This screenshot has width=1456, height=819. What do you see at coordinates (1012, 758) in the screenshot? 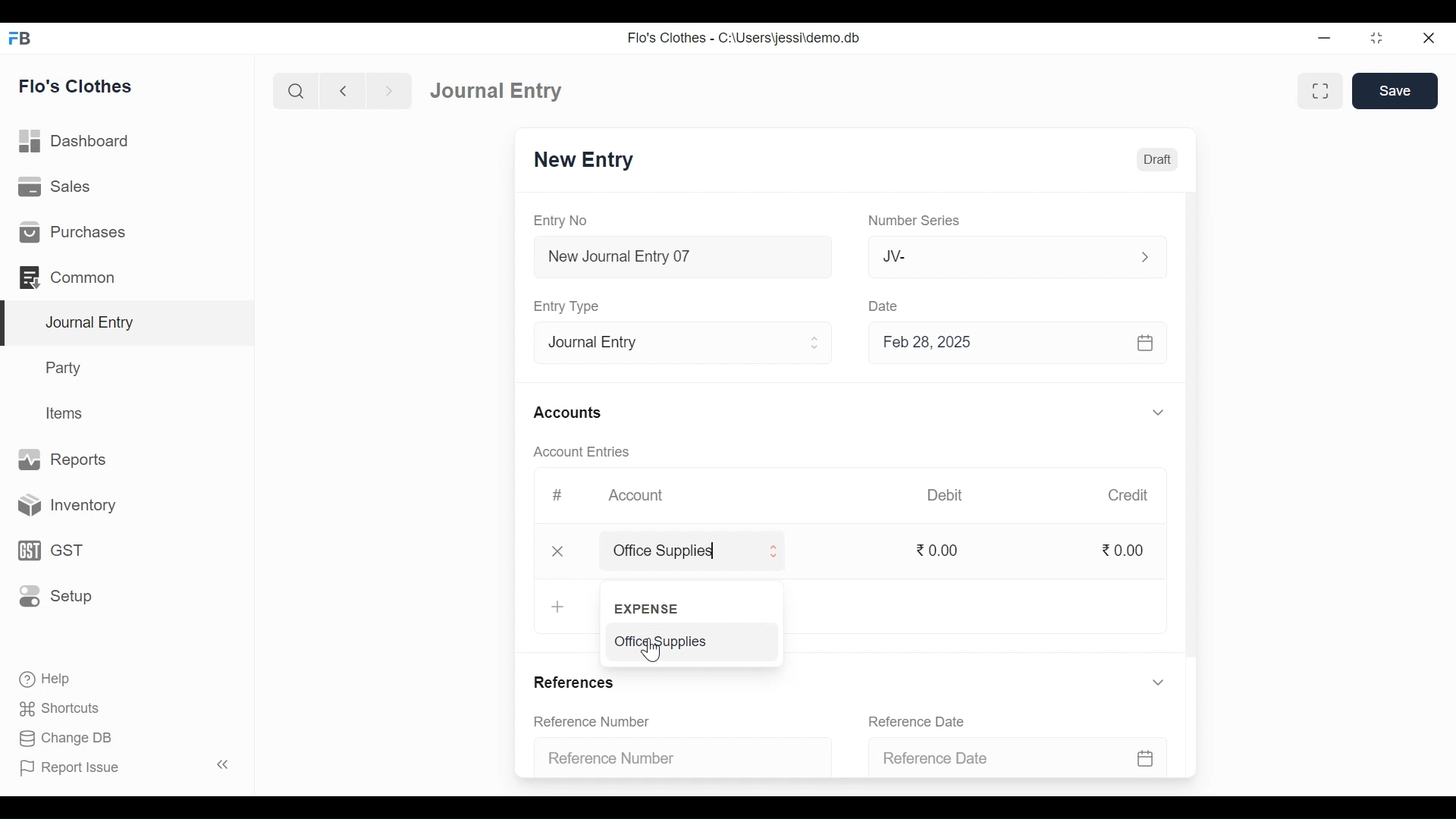
I see `Reference Date` at bounding box center [1012, 758].